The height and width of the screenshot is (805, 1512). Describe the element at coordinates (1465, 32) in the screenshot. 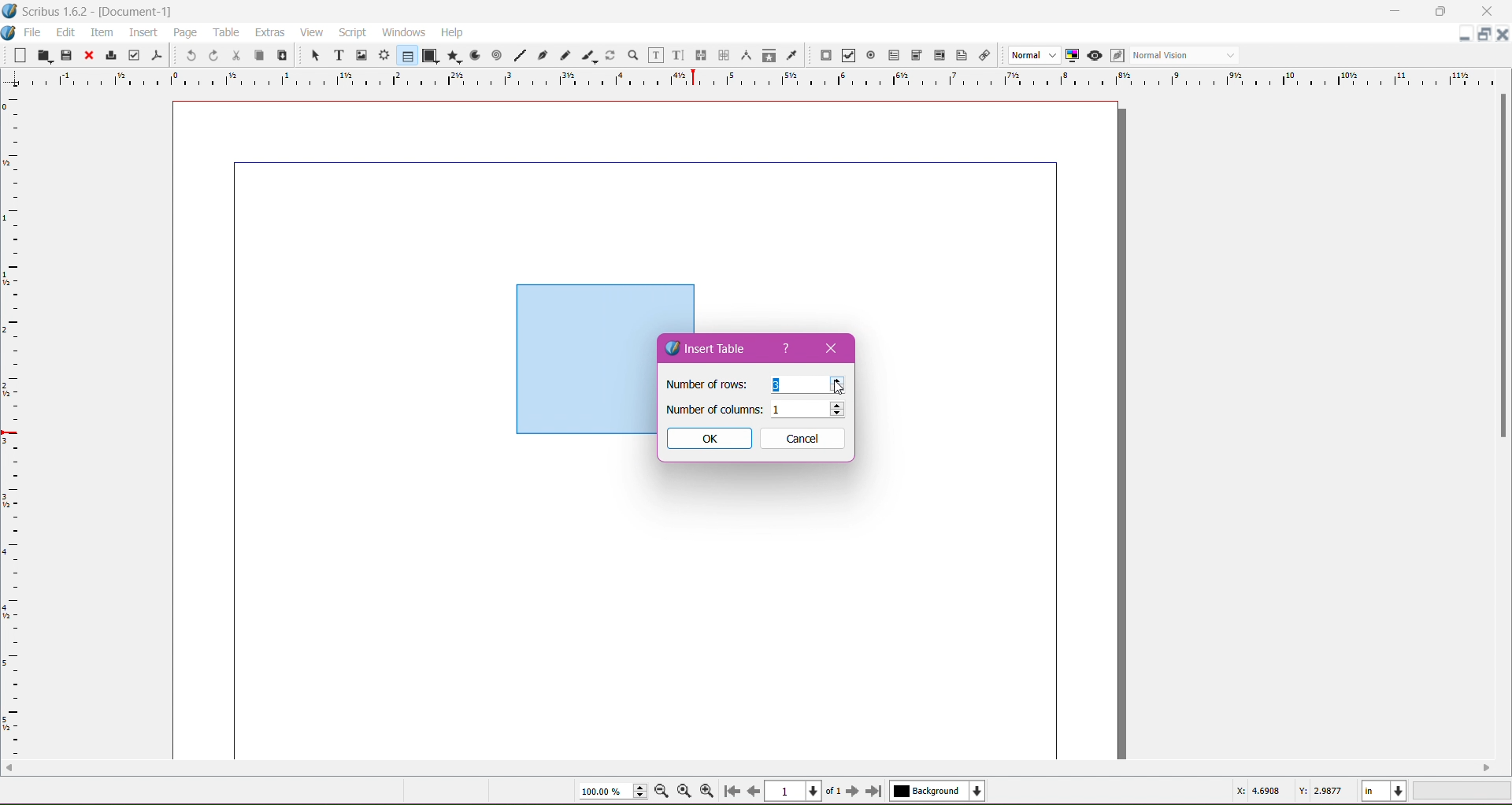

I see `Minimize` at that location.